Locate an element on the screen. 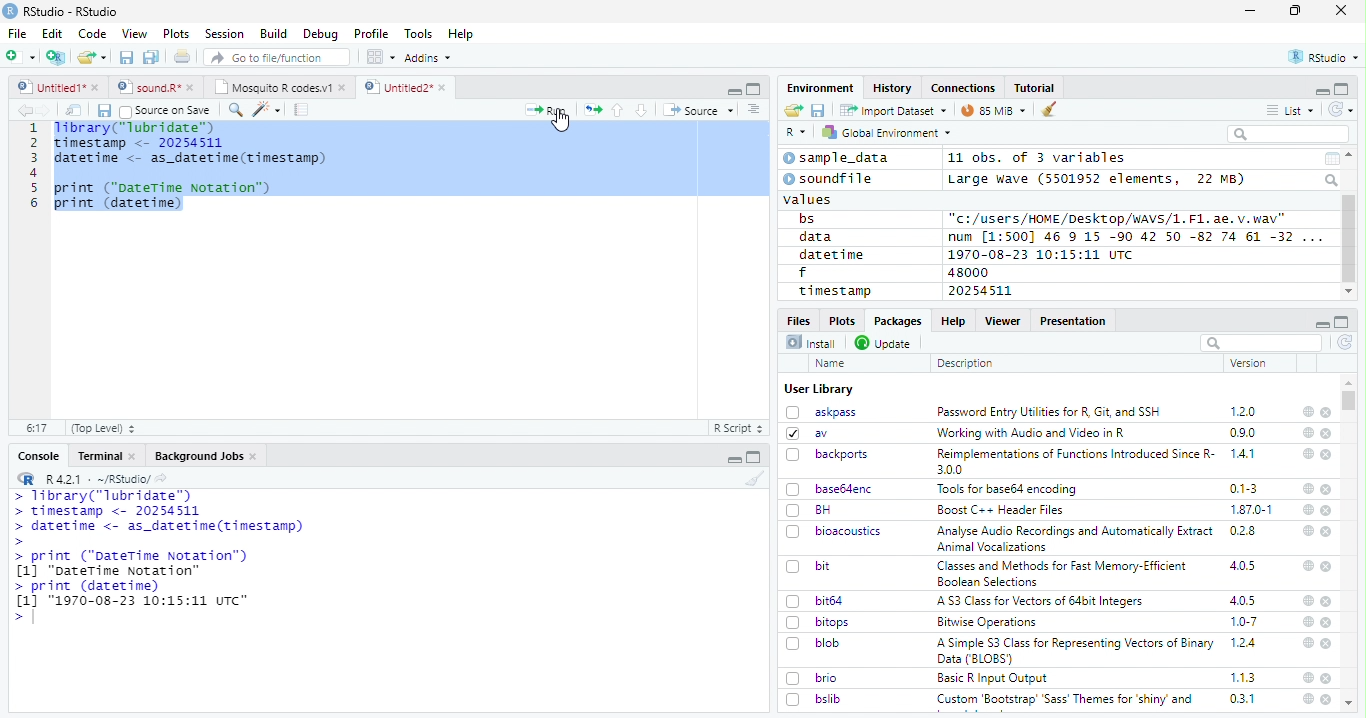 Image resolution: width=1366 pixels, height=718 pixels. Background Jobs is located at coordinates (206, 456).